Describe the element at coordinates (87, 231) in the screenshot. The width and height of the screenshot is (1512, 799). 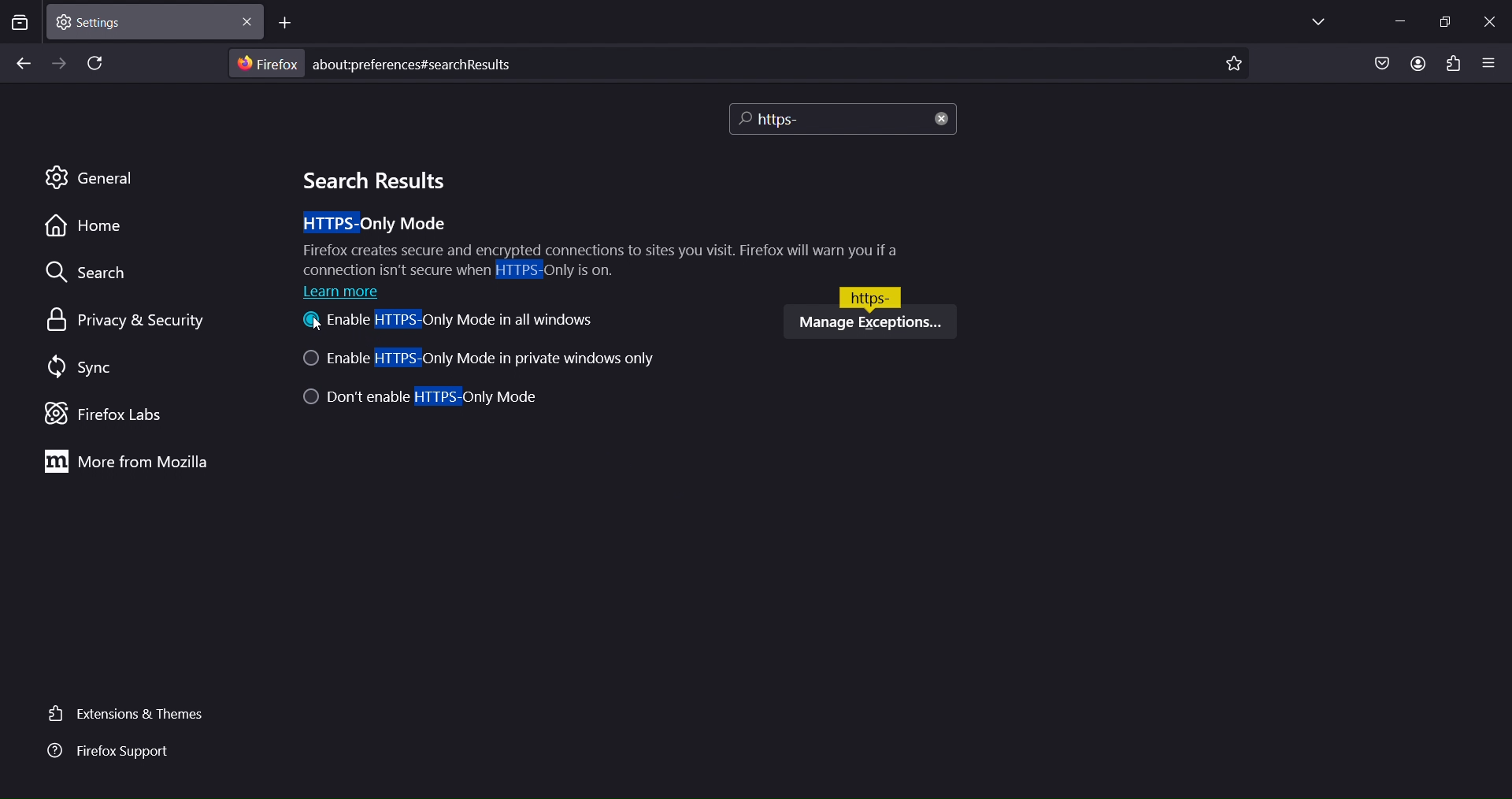
I see `home` at that location.